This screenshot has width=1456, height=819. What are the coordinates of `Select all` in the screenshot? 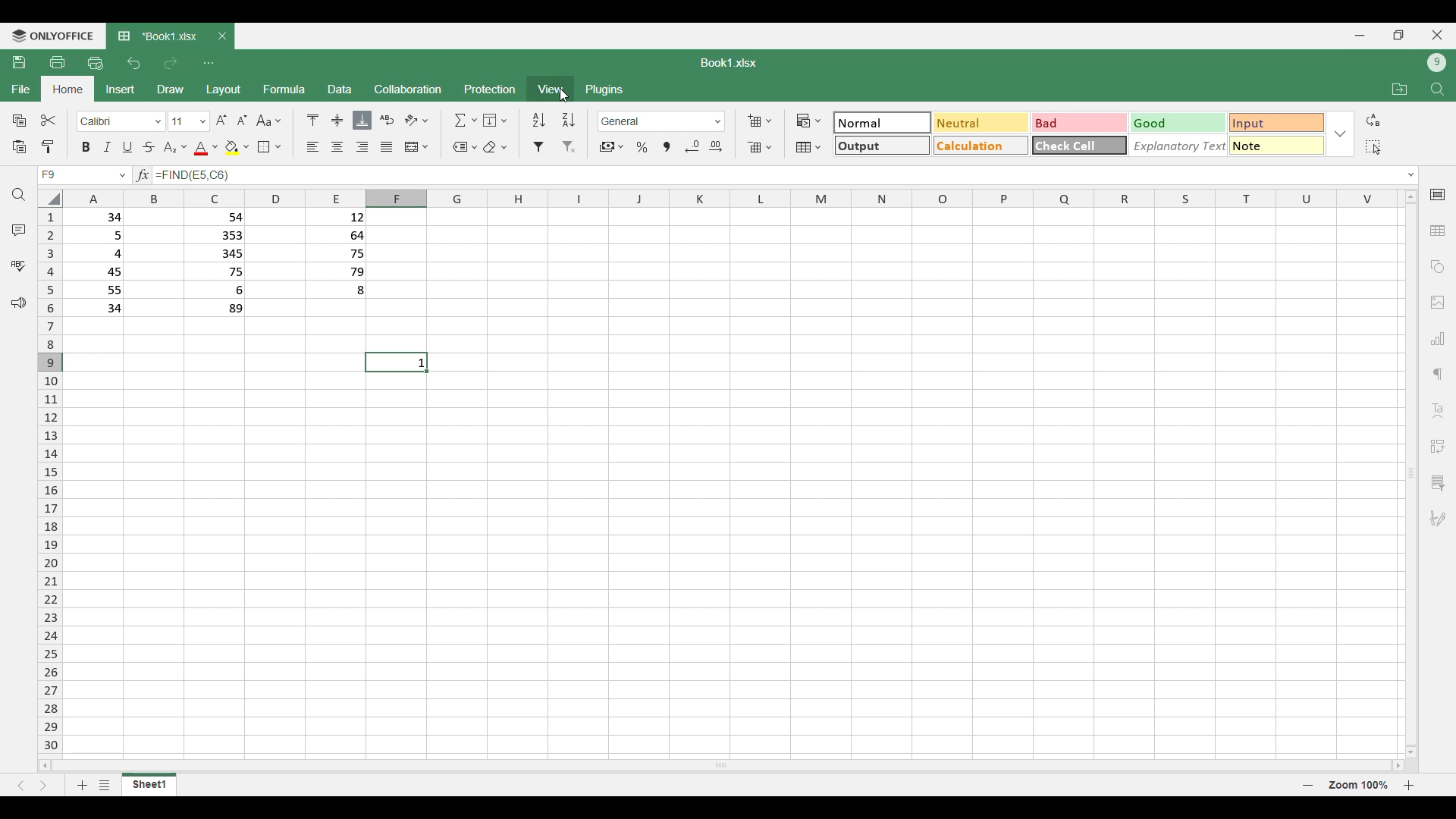 It's located at (1373, 147).